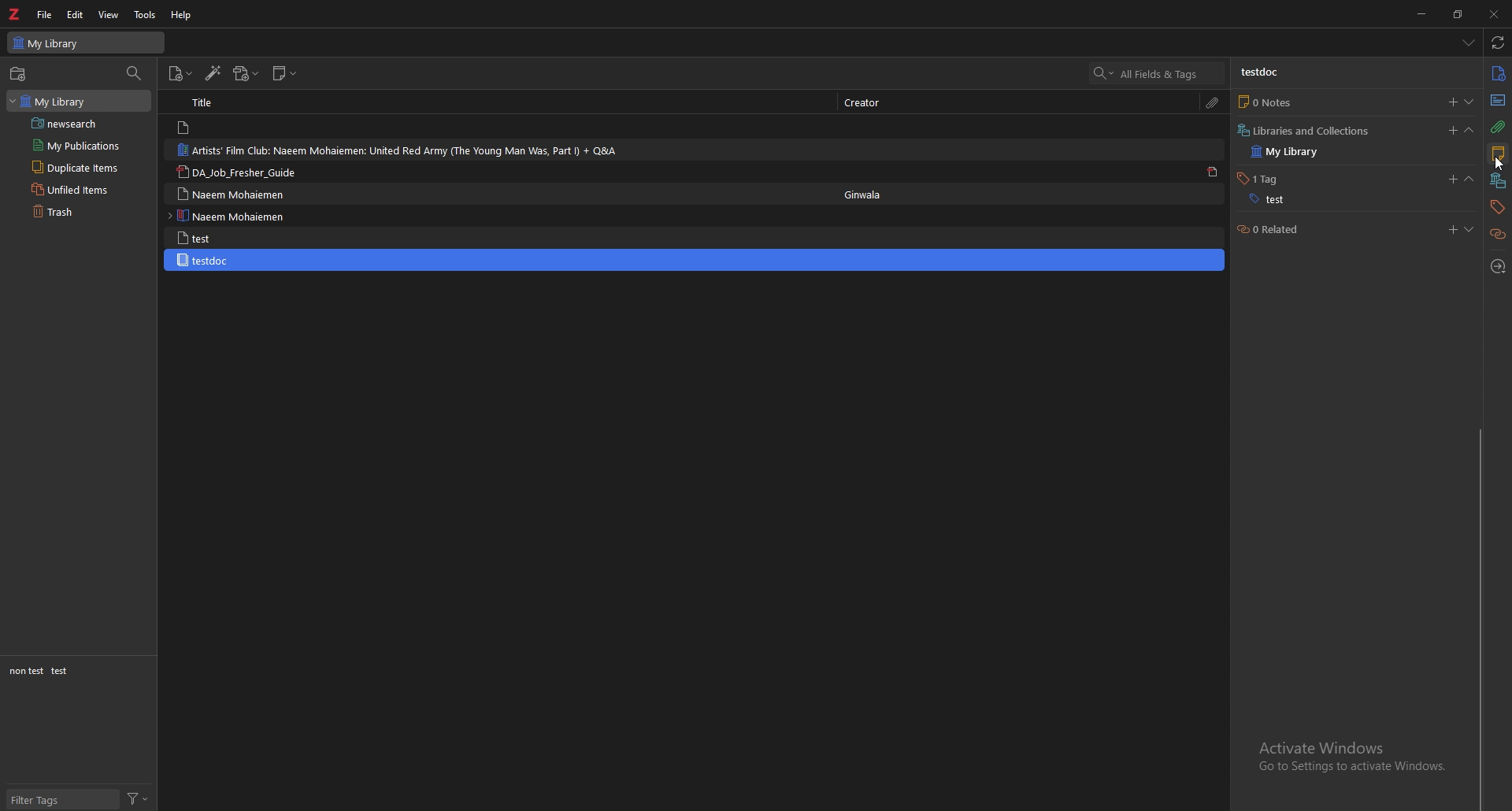  I want to click on libraries and collection, so click(1308, 131).